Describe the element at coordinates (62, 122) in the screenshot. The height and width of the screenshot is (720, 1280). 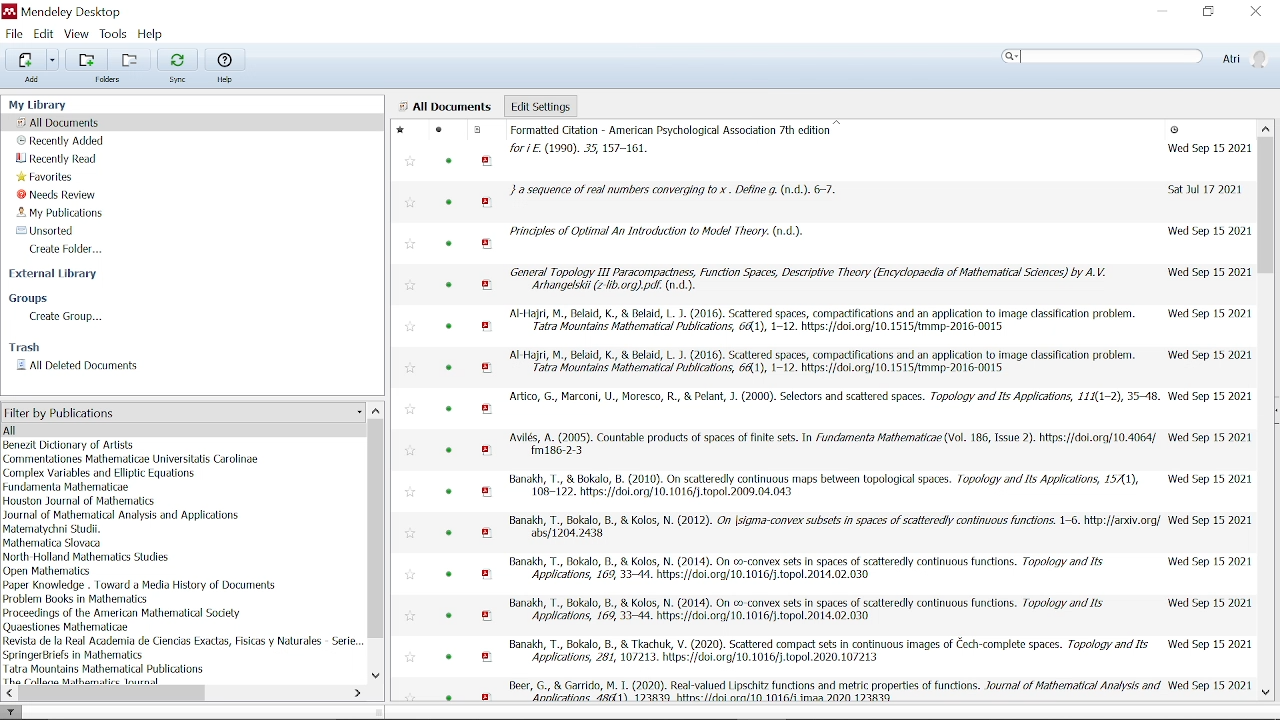
I see `All Documents` at that location.